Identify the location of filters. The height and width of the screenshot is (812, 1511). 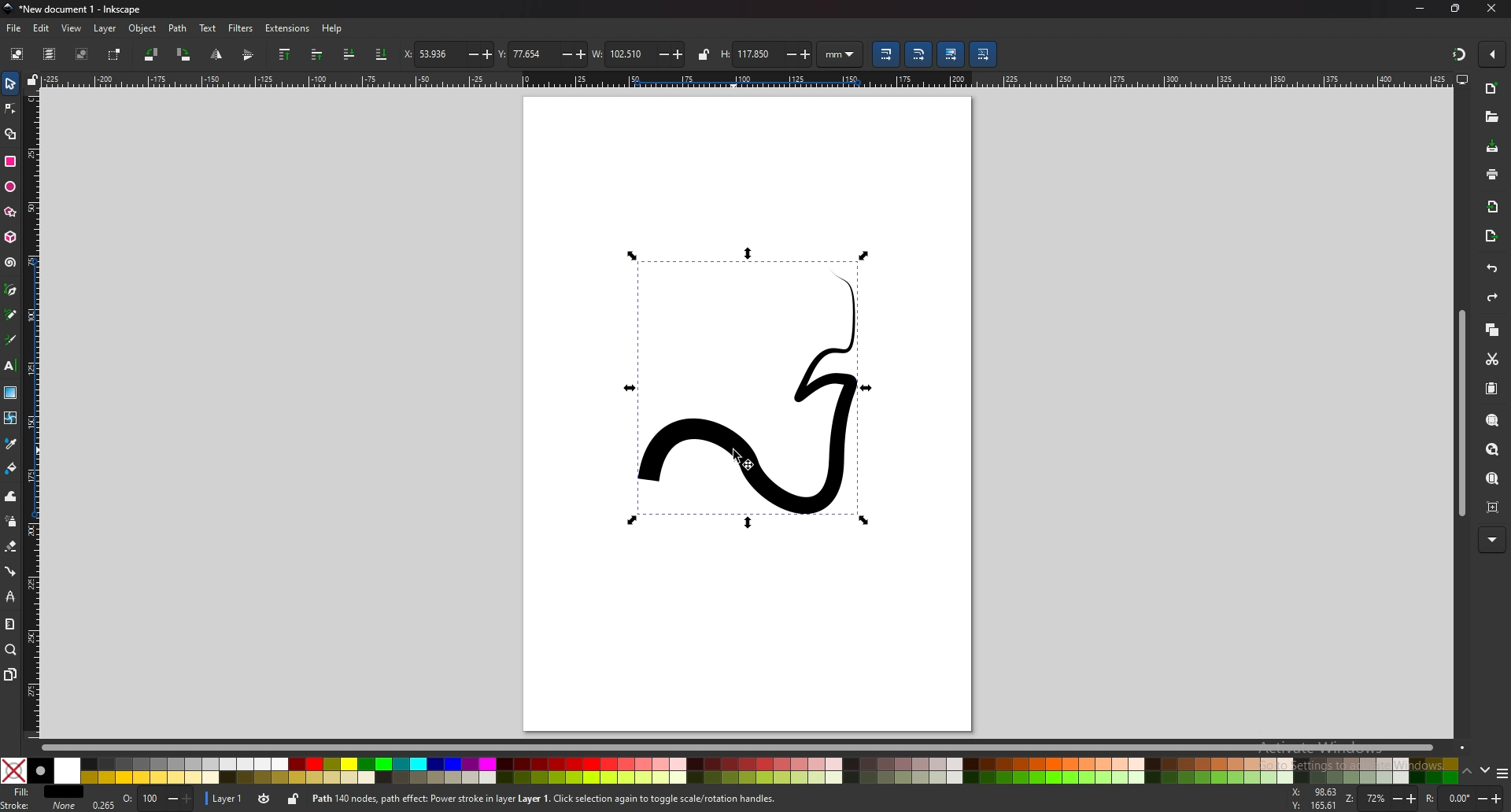
(241, 28).